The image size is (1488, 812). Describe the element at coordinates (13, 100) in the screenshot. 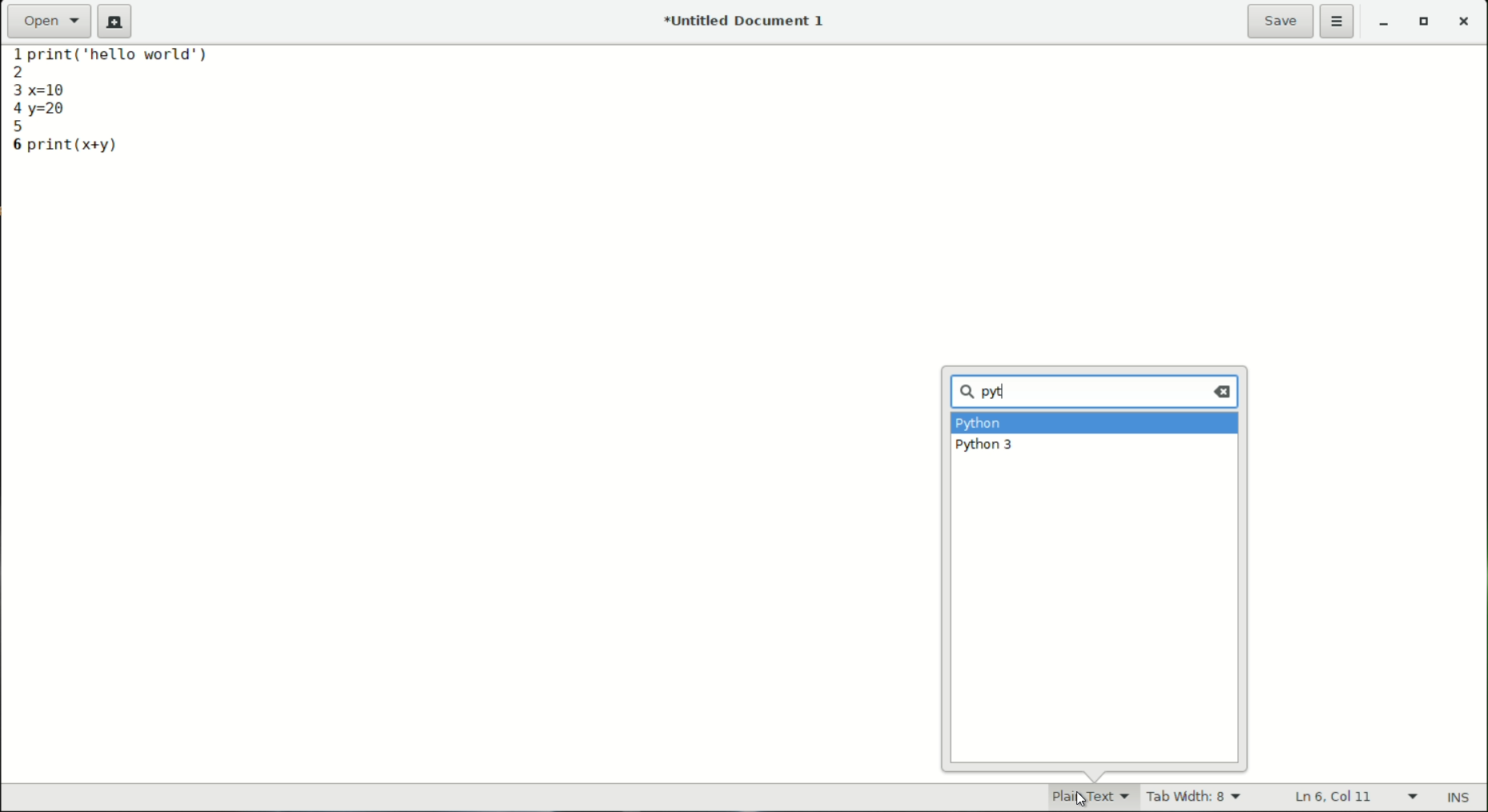

I see `line numbers` at that location.